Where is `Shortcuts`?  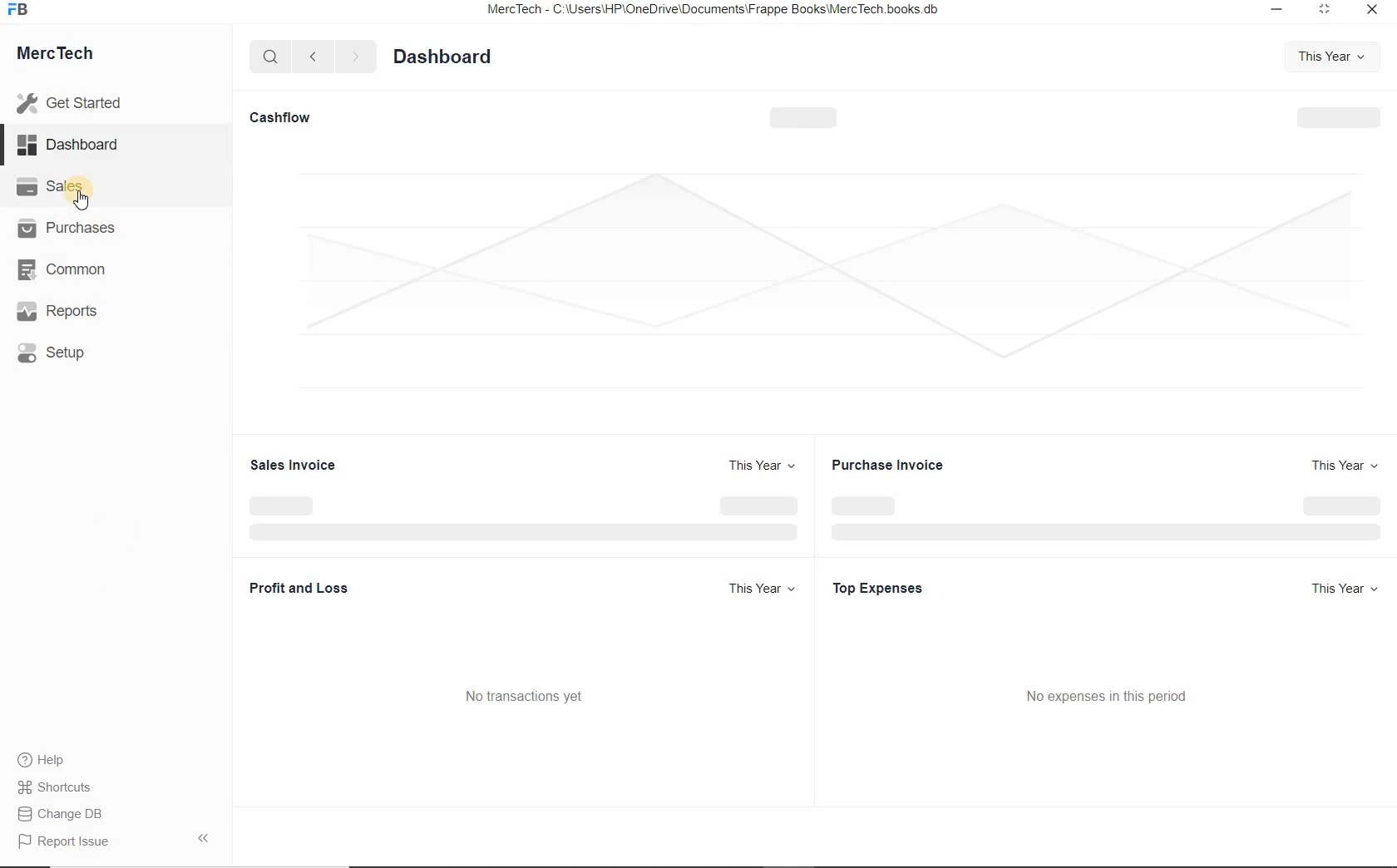
Shortcuts is located at coordinates (62, 786).